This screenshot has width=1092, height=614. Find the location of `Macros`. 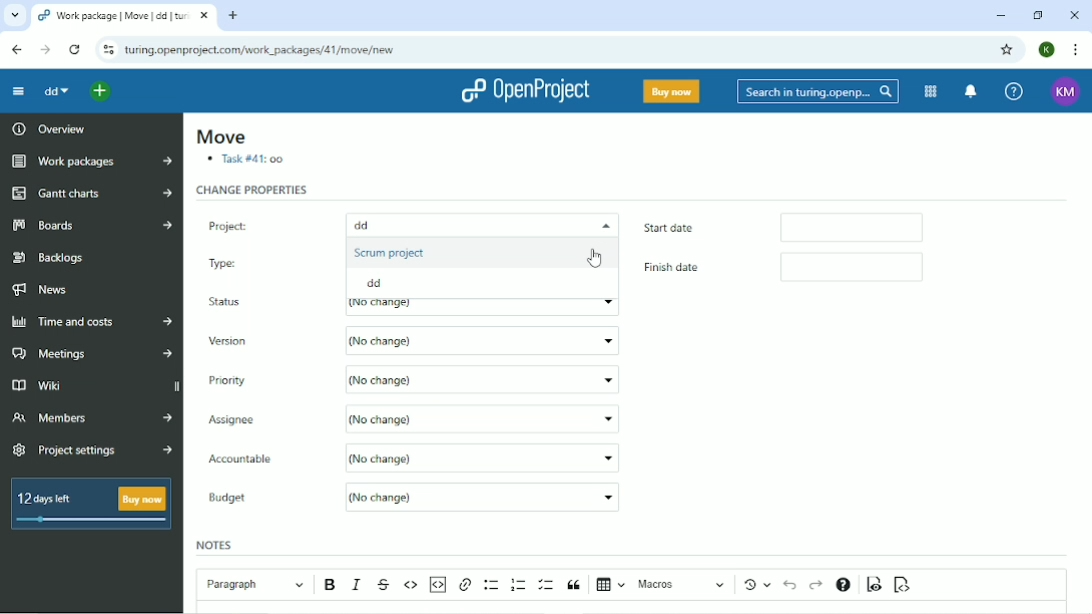

Macros is located at coordinates (683, 584).